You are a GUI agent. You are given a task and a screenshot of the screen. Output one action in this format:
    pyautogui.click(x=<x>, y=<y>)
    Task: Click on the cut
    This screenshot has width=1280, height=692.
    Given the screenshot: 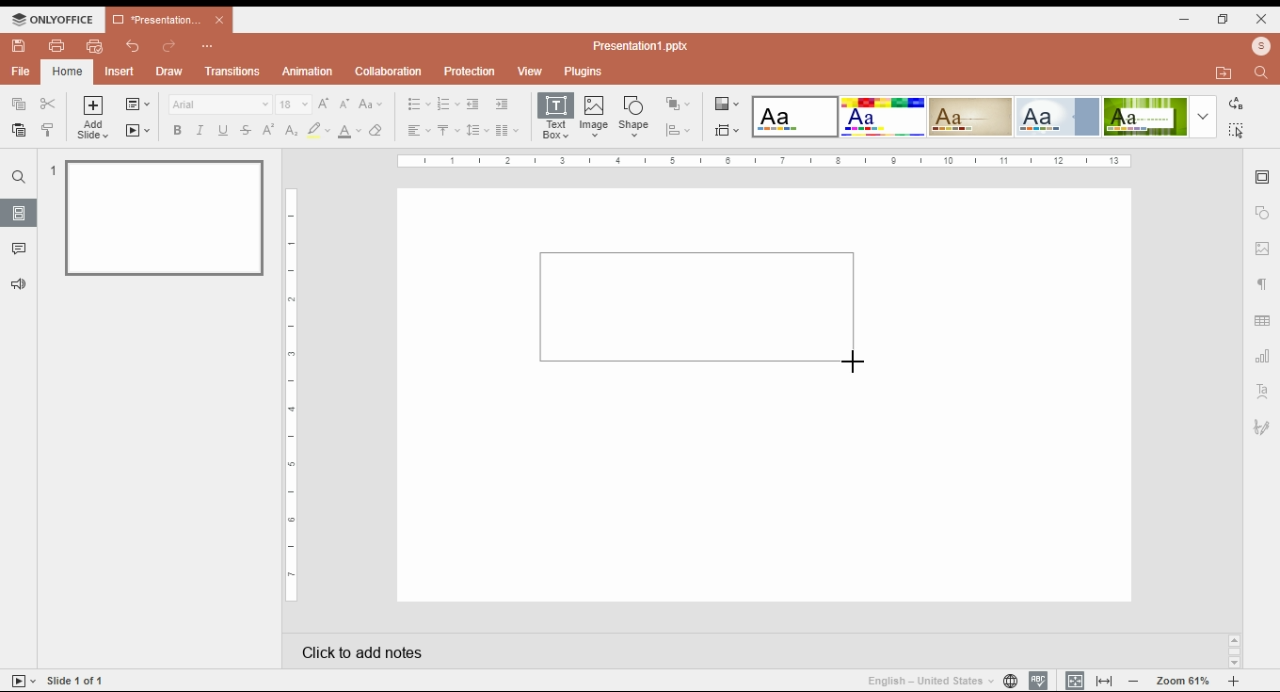 What is the action you would take?
    pyautogui.click(x=48, y=103)
    